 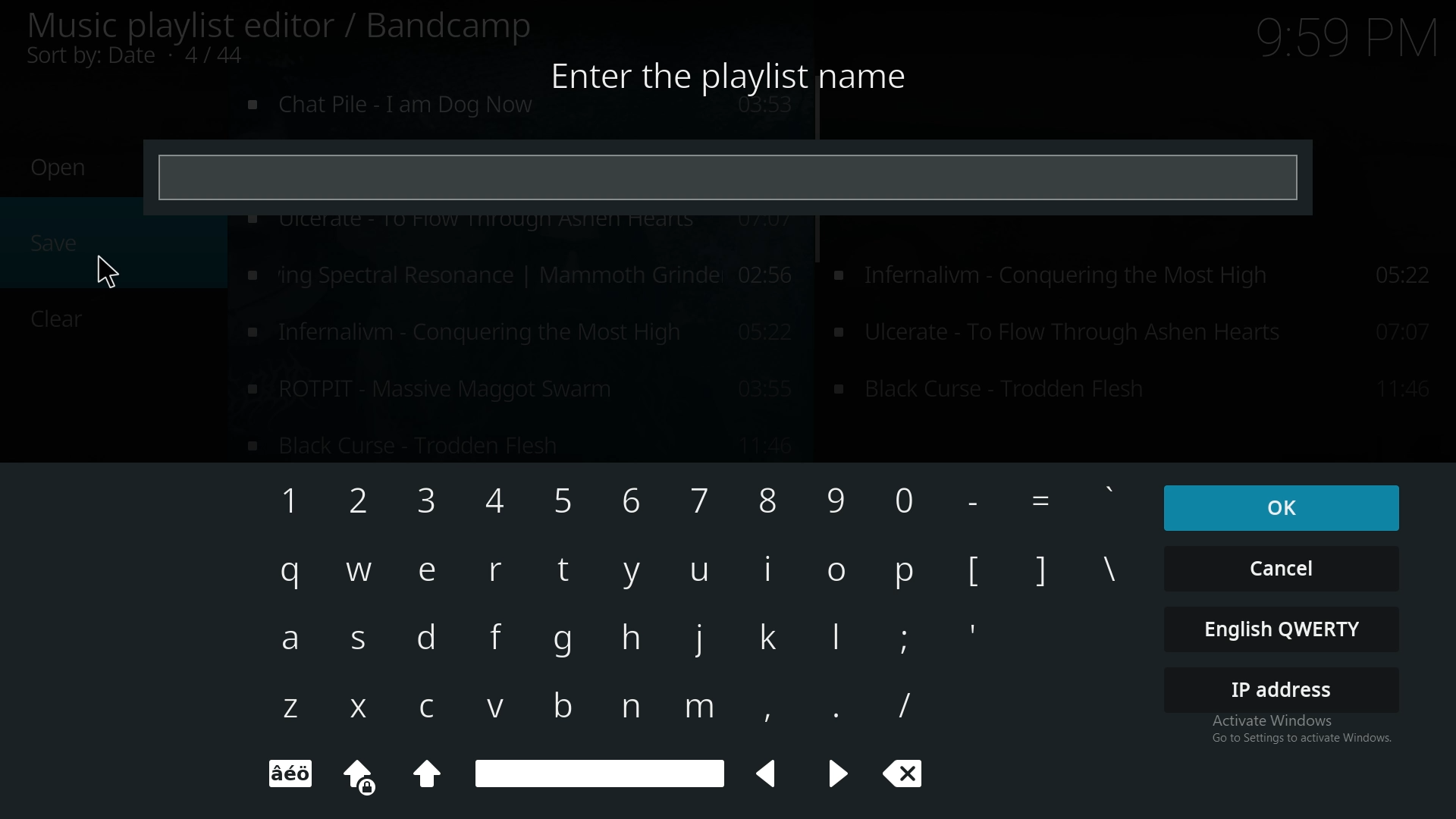 I want to click on ip address, so click(x=1284, y=689).